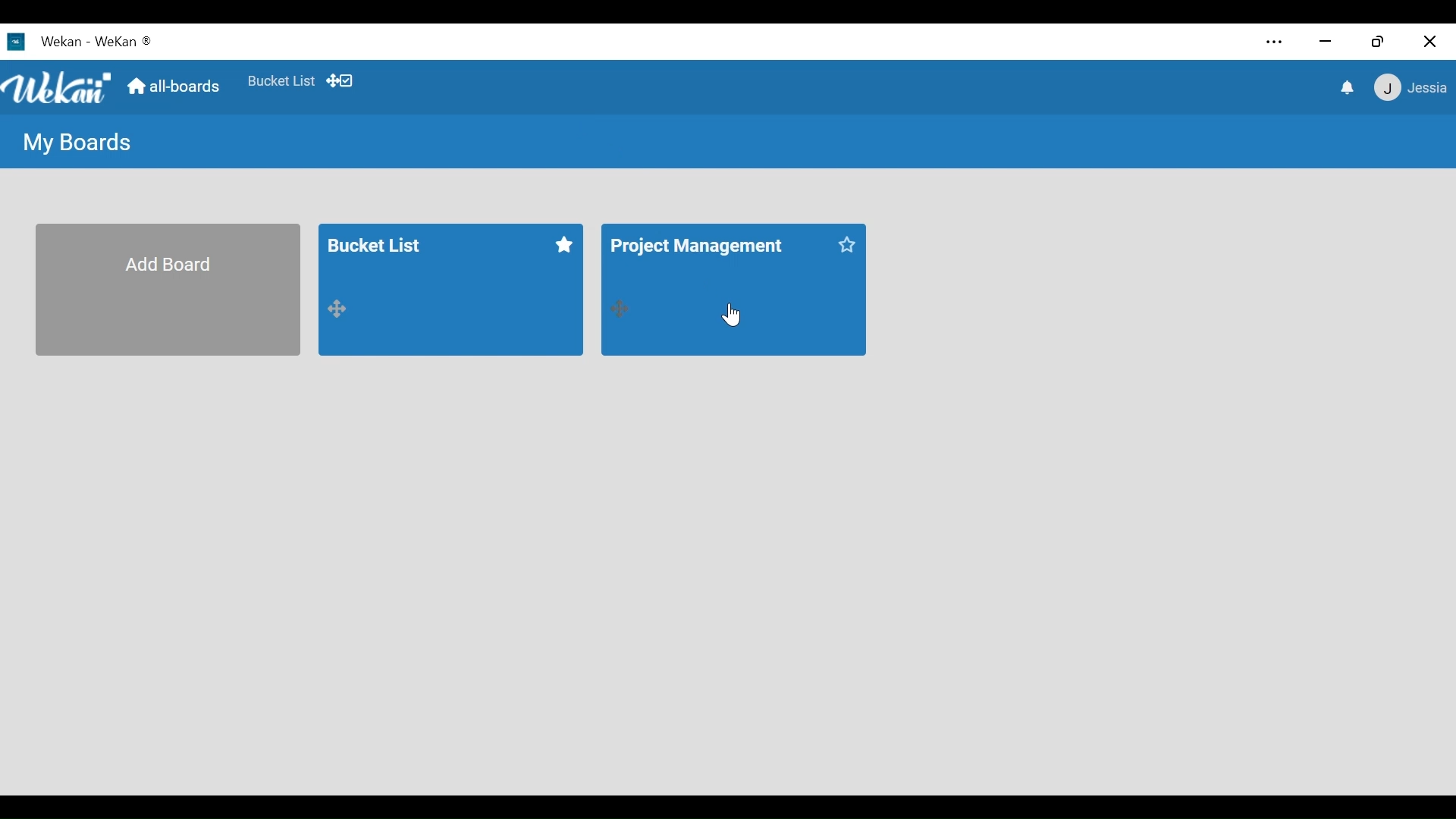 The image size is (1456, 819). Describe the element at coordinates (341, 308) in the screenshot. I see `drag` at that location.